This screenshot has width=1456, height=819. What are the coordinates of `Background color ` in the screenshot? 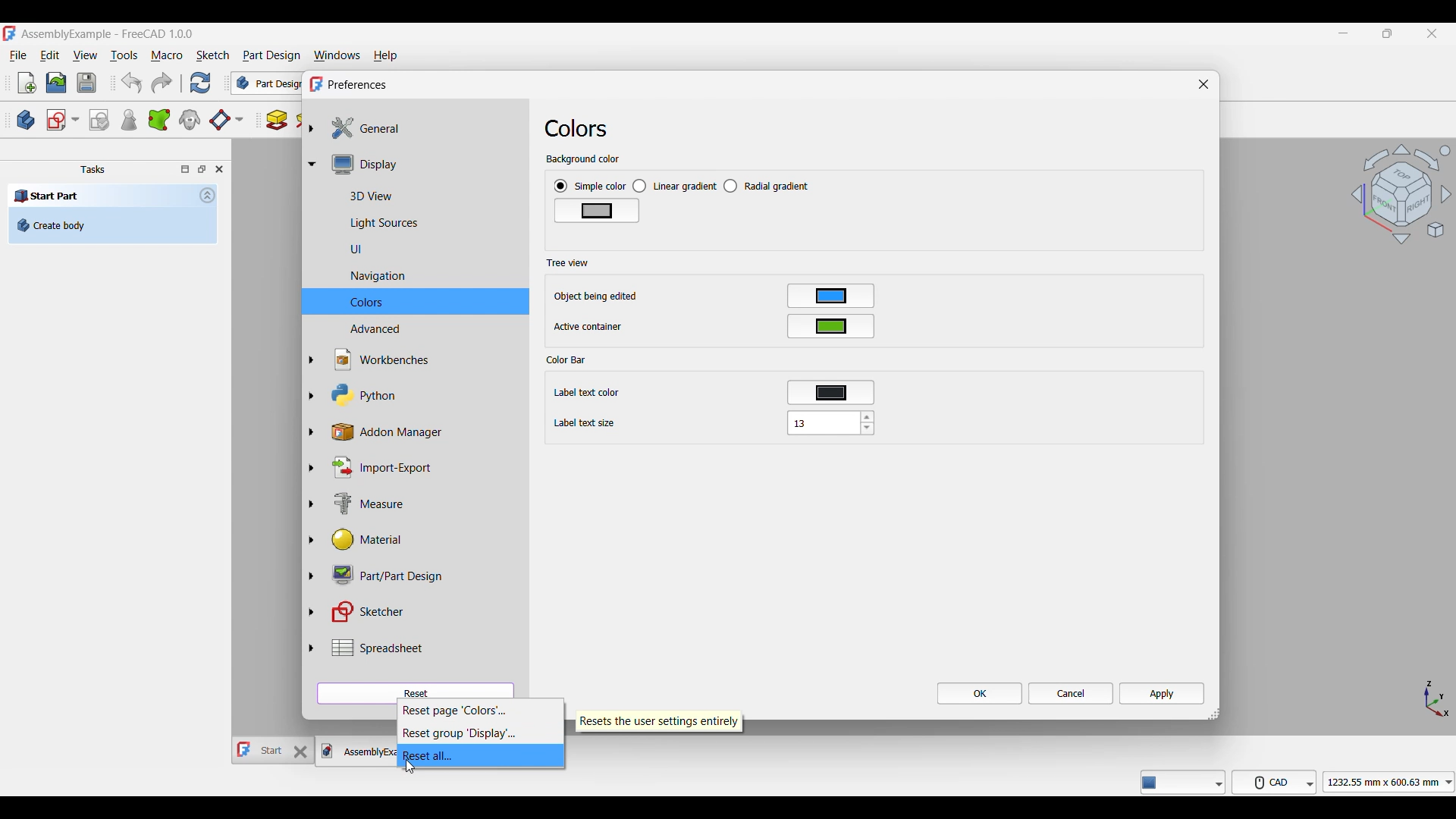 It's located at (582, 159).